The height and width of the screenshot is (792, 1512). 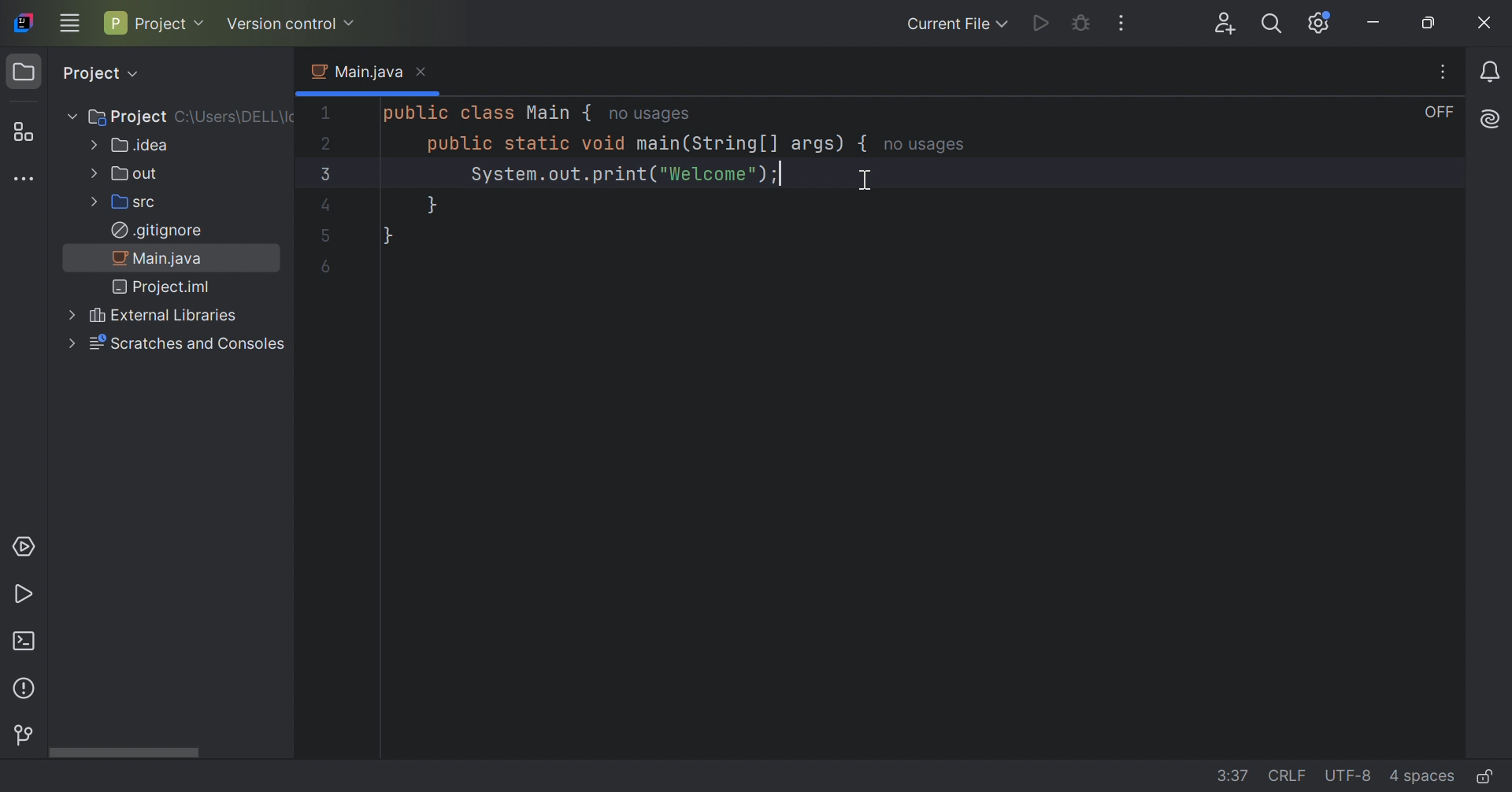 What do you see at coordinates (1484, 778) in the screenshot?
I see `Make file read-only` at bounding box center [1484, 778].